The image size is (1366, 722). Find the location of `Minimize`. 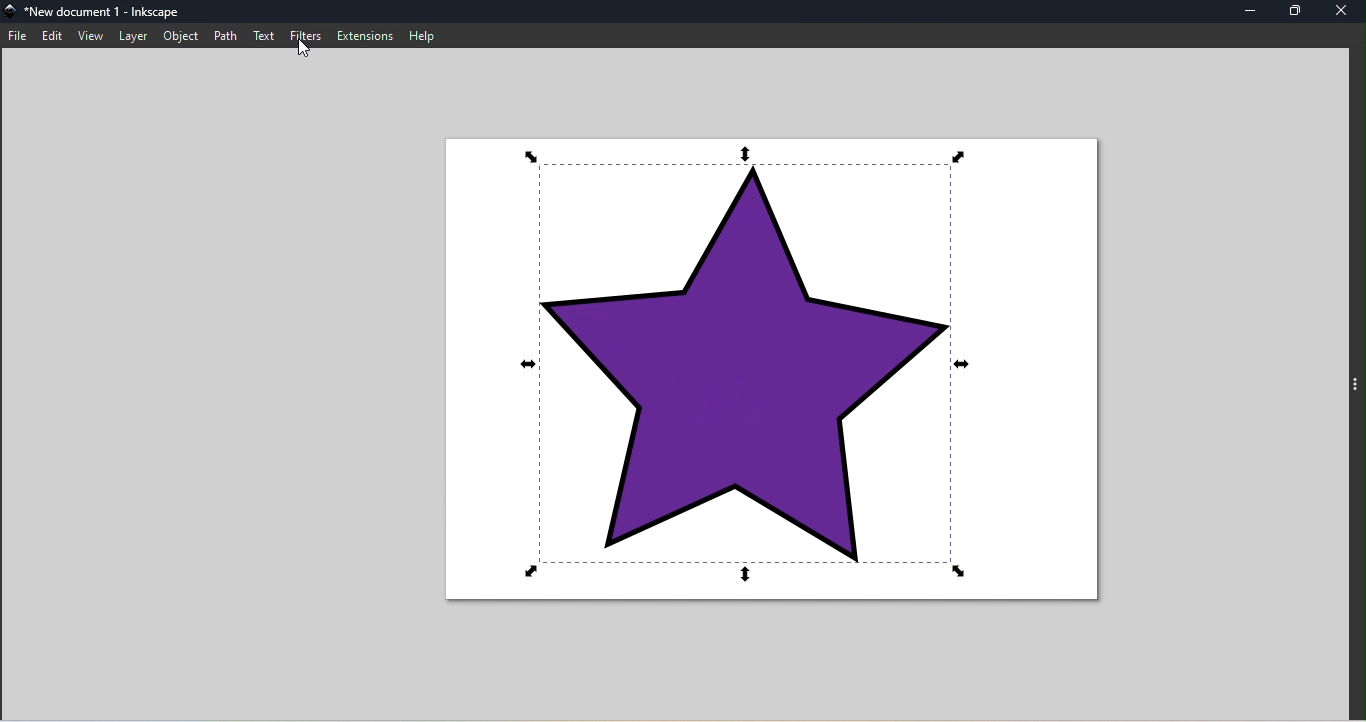

Minimize is located at coordinates (1253, 11).